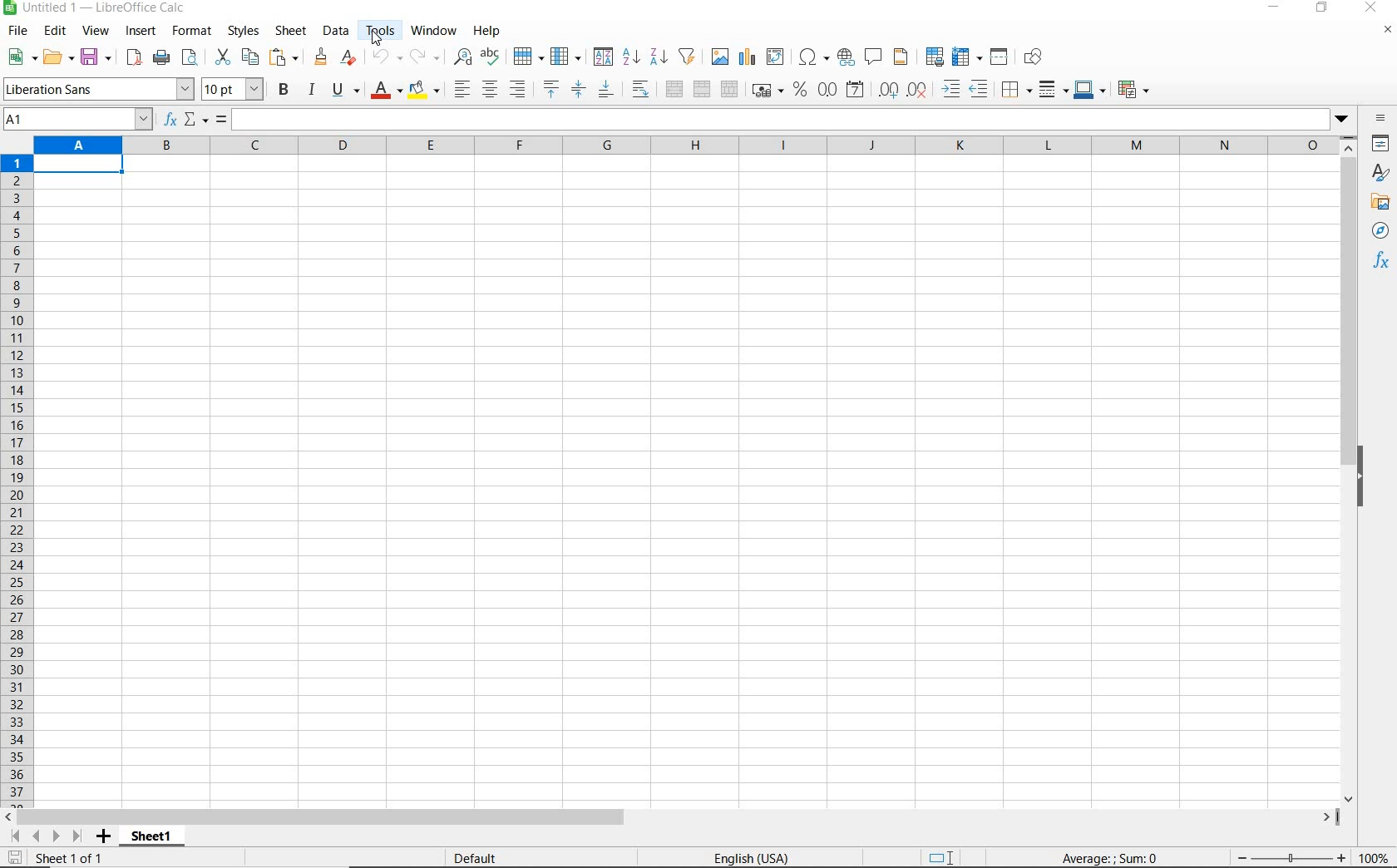 The height and width of the screenshot is (868, 1397). Describe the element at coordinates (966, 57) in the screenshot. I see `freeze rows & columns` at that location.